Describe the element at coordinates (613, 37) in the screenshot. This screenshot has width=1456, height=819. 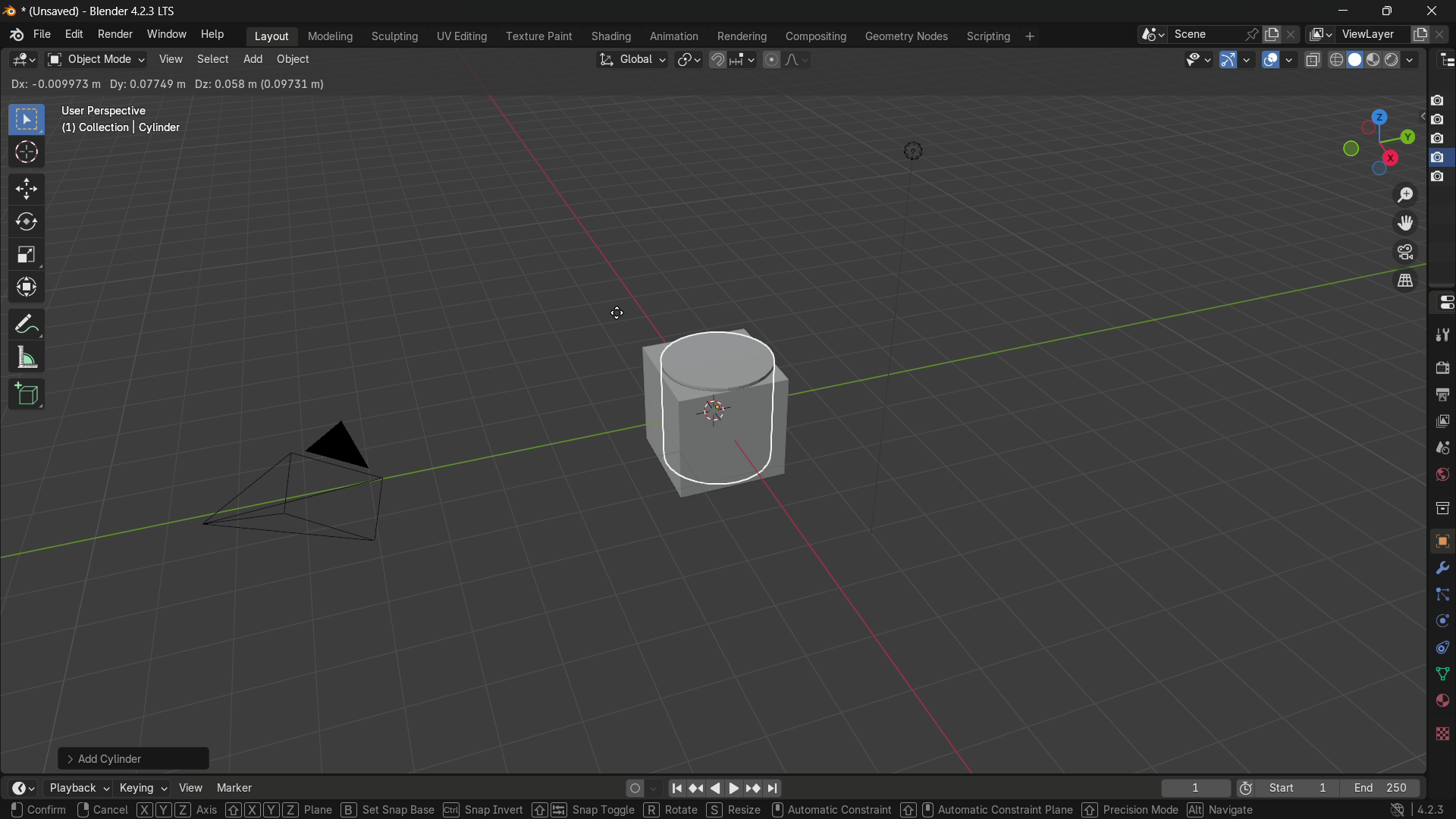
I see `shading menu` at that location.